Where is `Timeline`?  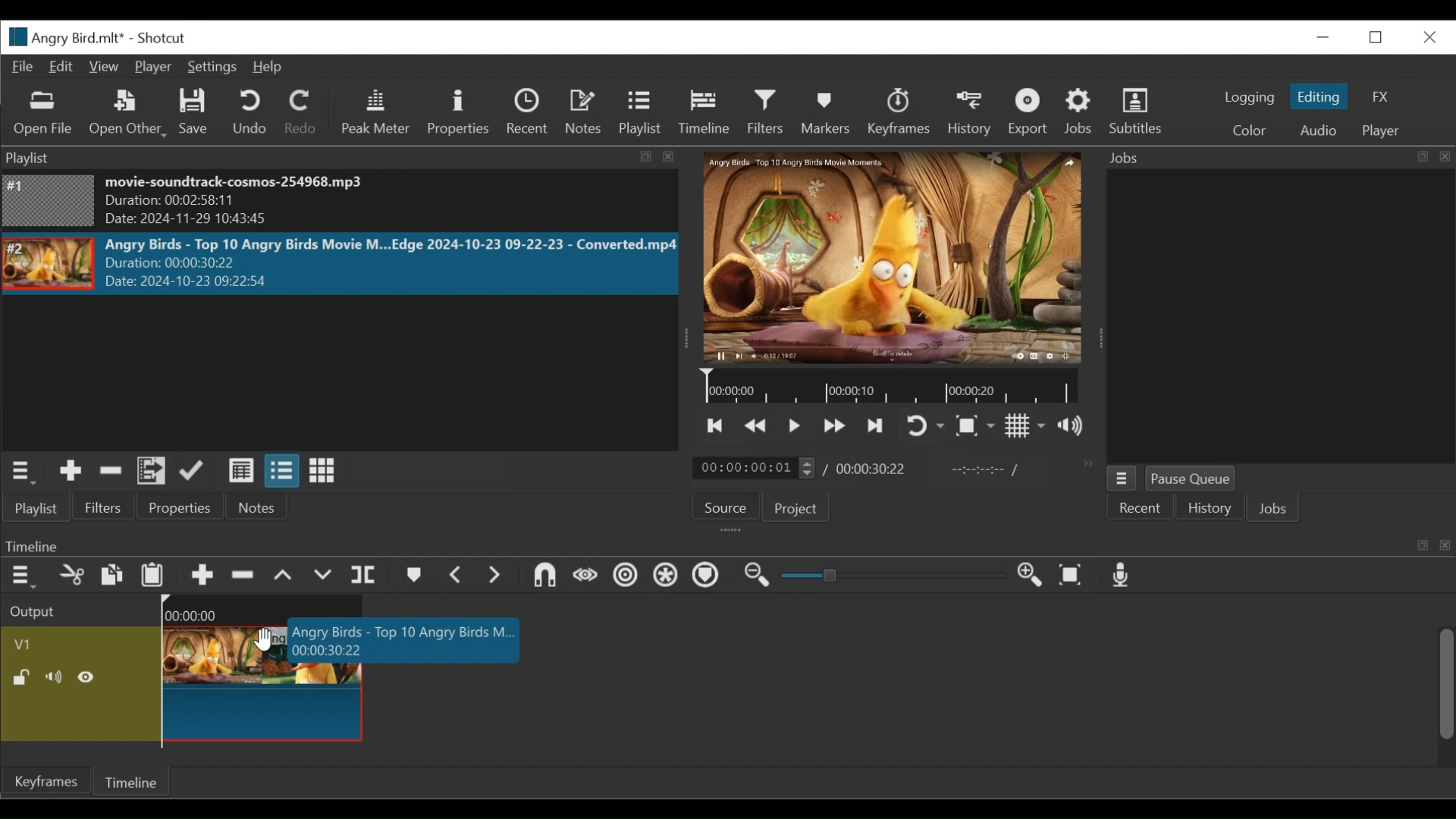
Timeline is located at coordinates (891, 387).